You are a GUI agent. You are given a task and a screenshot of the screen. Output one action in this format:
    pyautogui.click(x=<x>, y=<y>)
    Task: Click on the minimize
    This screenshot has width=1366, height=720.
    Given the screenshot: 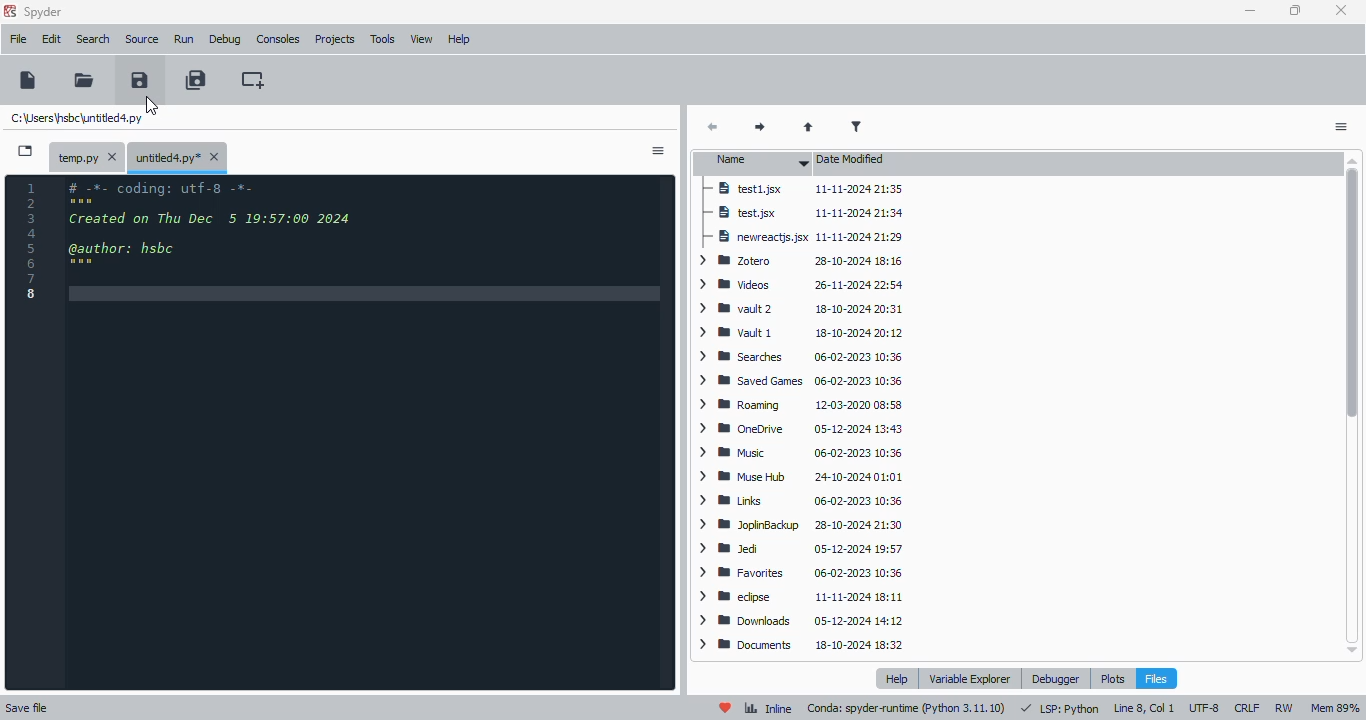 What is the action you would take?
    pyautogui.click(x=1251, y=11)
    